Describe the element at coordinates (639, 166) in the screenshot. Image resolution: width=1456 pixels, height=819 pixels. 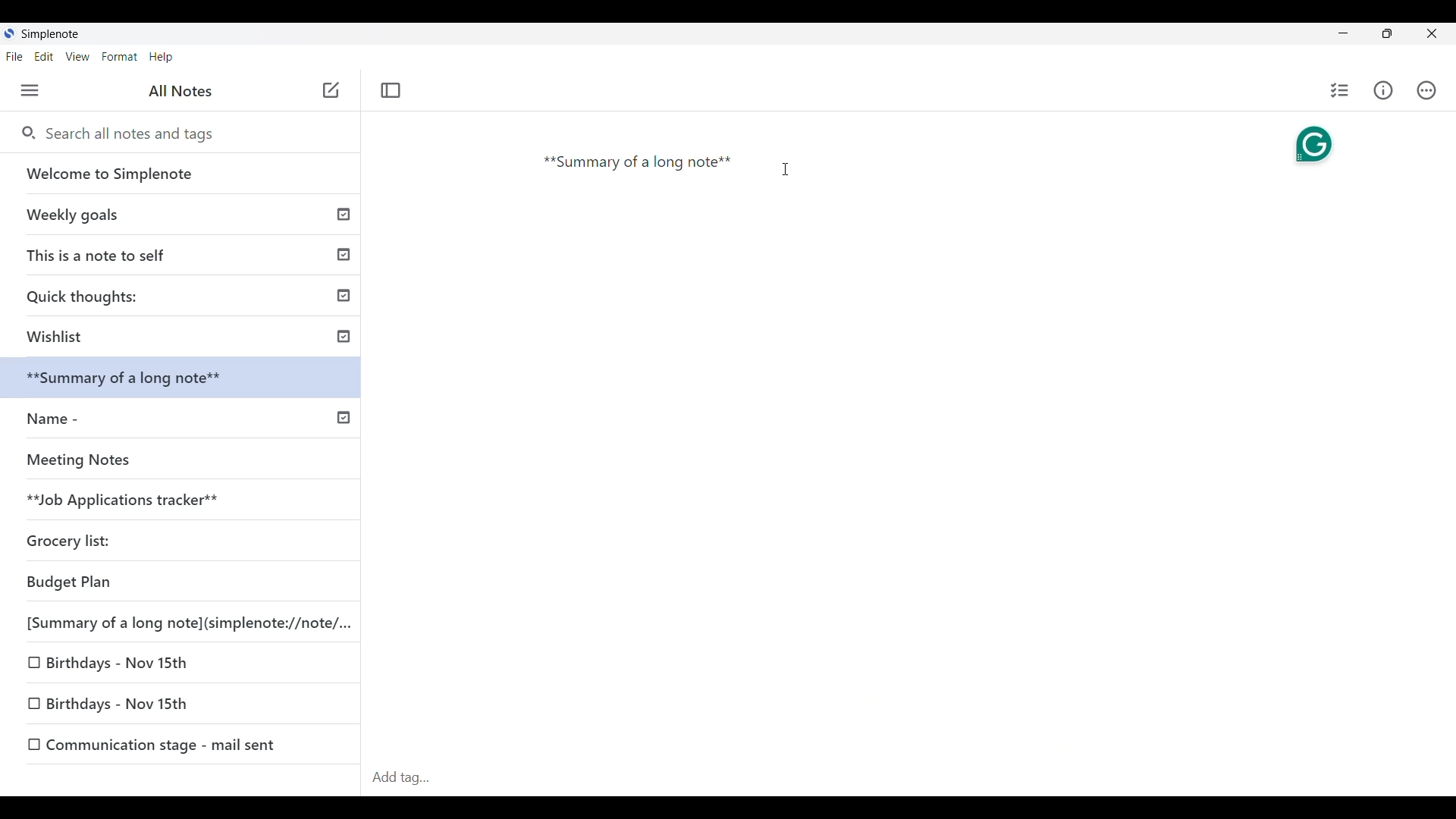
I see `Summary of a long note` at that location.